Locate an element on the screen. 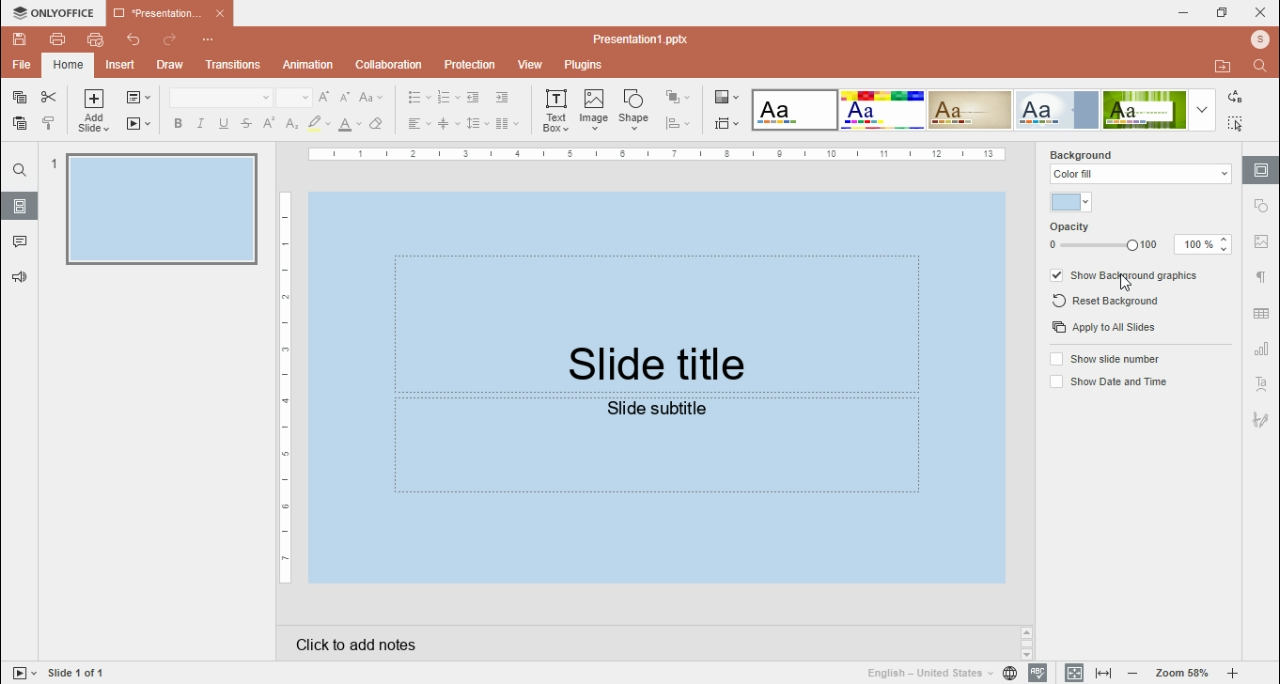 This screenshot has height=684, width=1280. zoom in/zoom out is located at coordinates (1182, 674).